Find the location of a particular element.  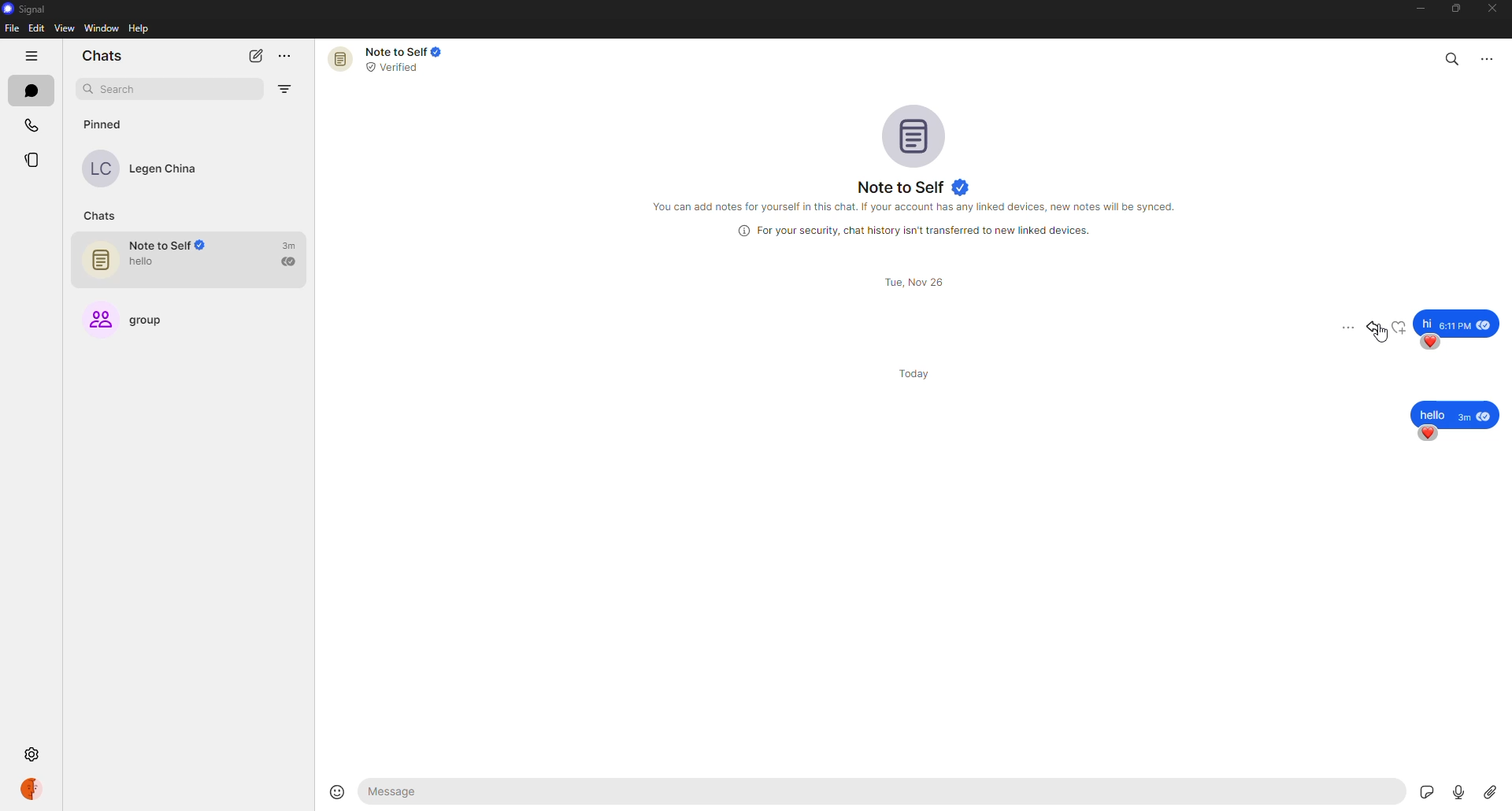

edit is located at coordinates (35, 28).